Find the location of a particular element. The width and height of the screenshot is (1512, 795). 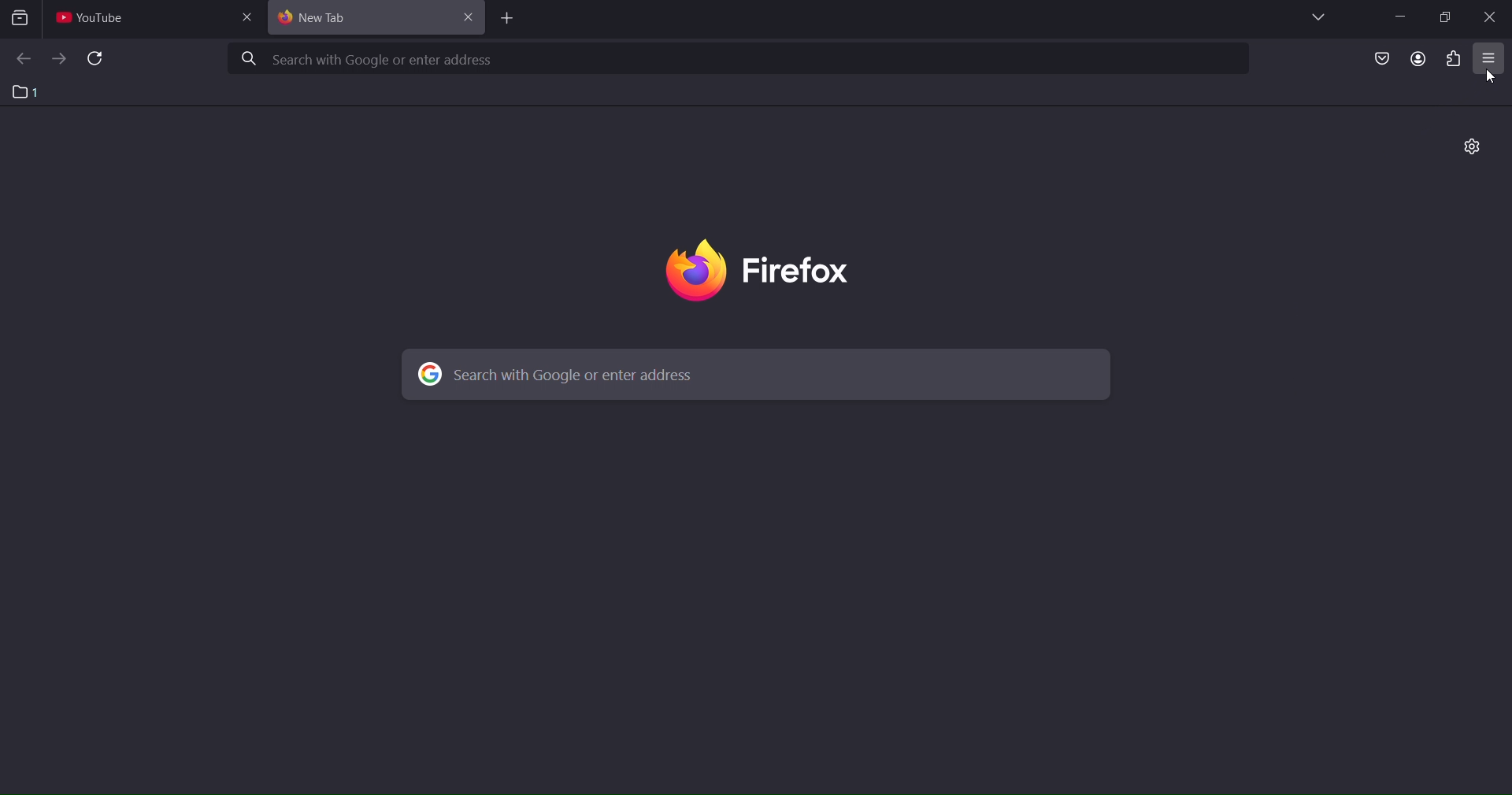

minimize is located at coordinates (1399, 16).